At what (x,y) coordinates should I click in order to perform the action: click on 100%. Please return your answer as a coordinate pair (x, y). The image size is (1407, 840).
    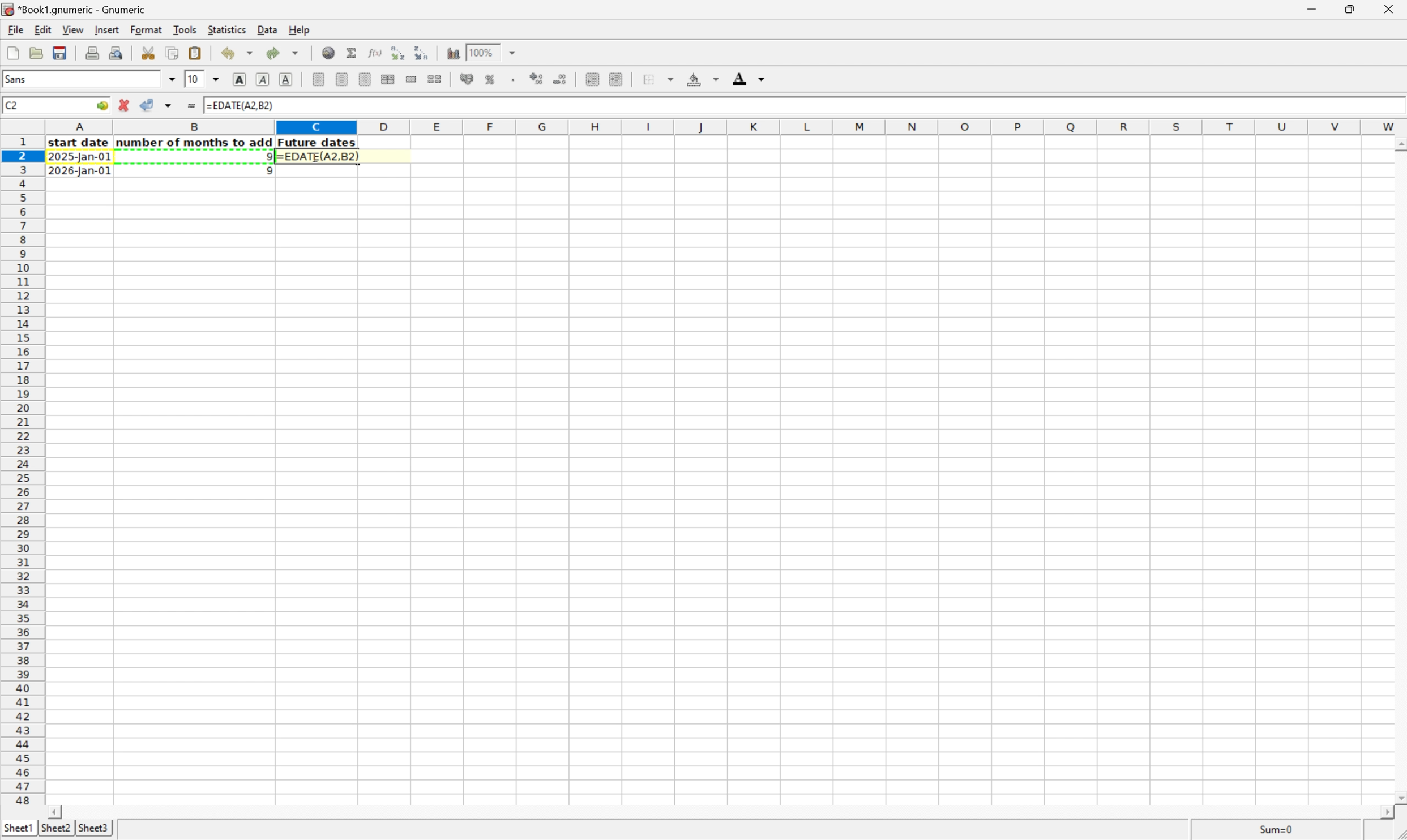
    Looking at the image, I should click on (480, 52).